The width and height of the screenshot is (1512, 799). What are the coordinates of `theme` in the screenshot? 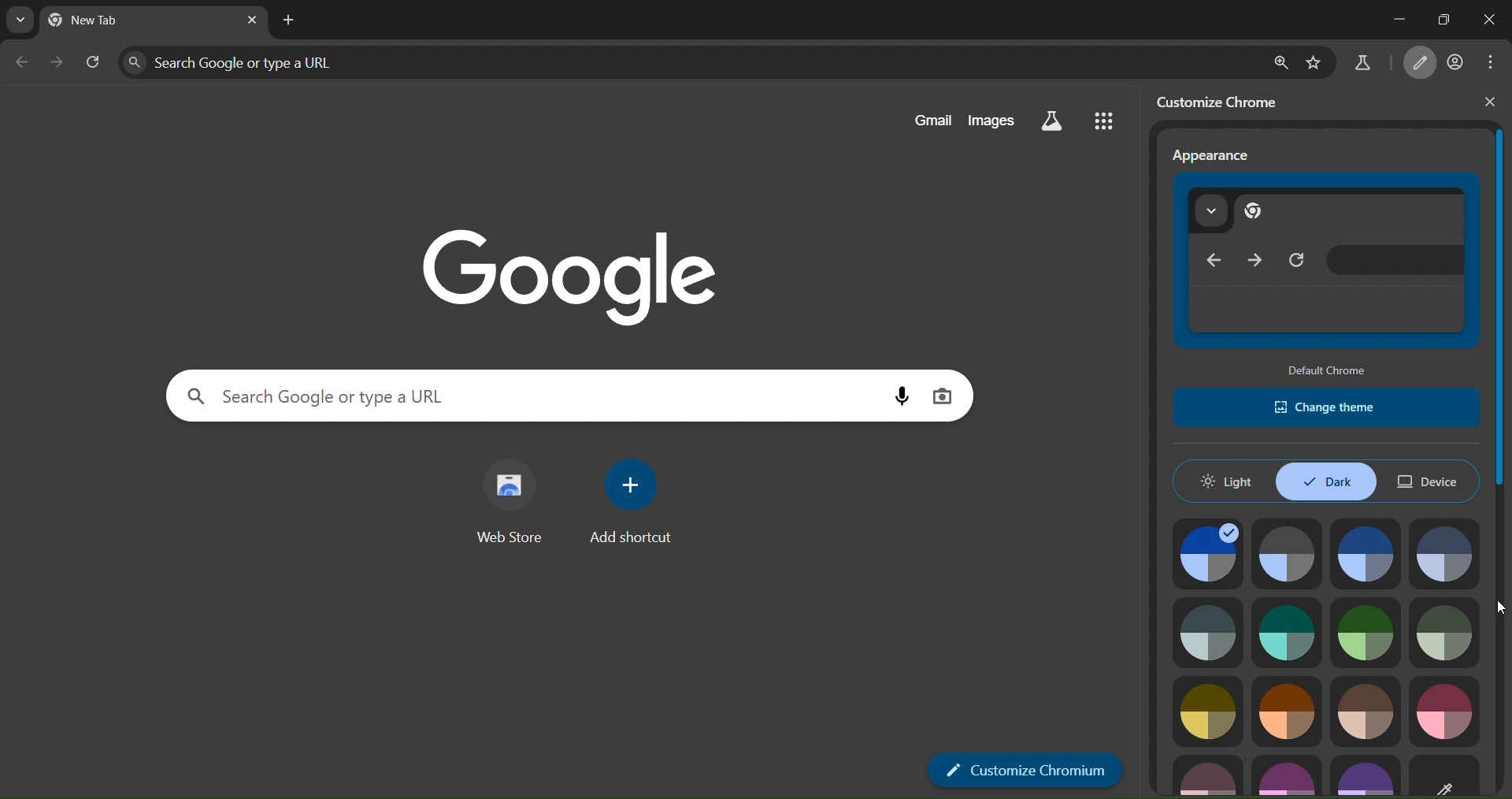 It's located at (1289, 773).